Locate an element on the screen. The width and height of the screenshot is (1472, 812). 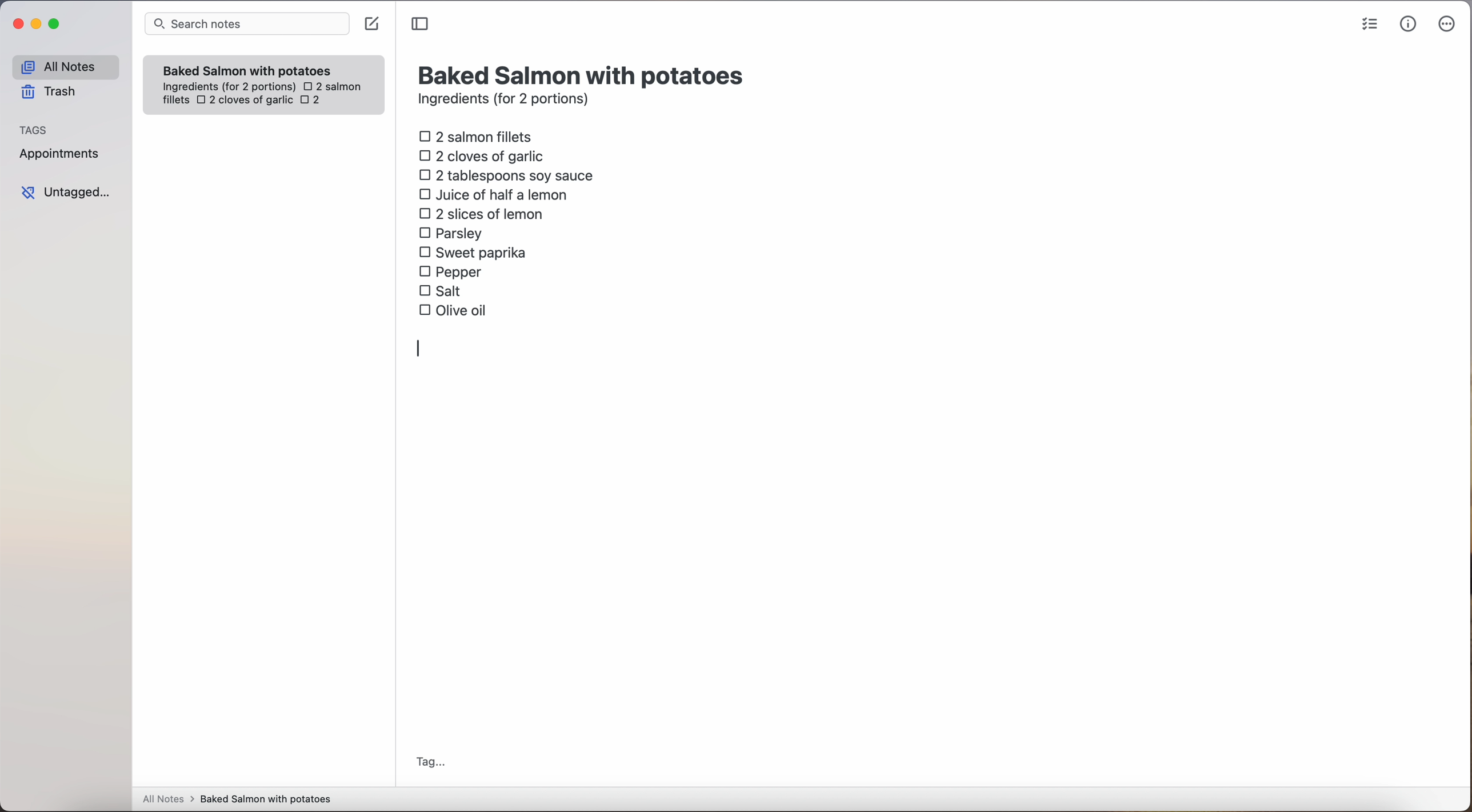
close Simplenote is located at coordinates (17, 25).